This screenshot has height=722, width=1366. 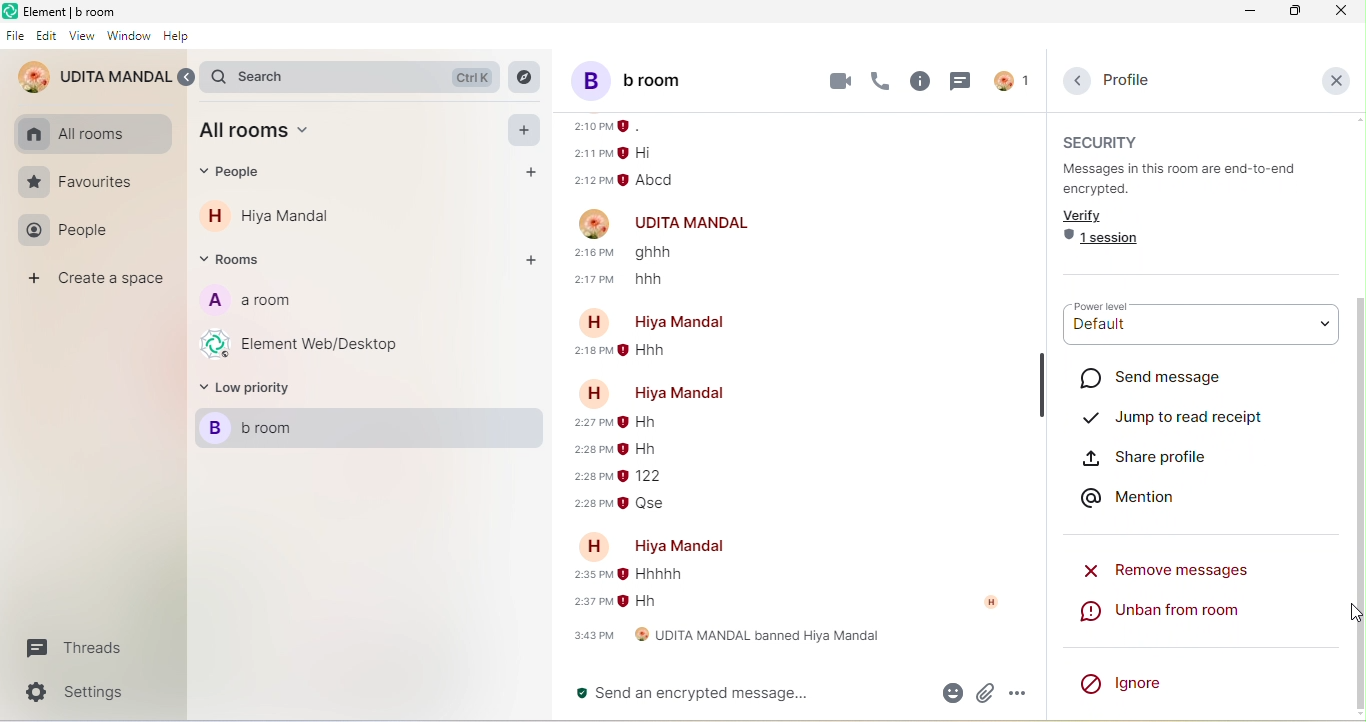 What do you see at coordinates (70, 651) in the screenshot?
I see `threads` at bounding box center [70, 651].